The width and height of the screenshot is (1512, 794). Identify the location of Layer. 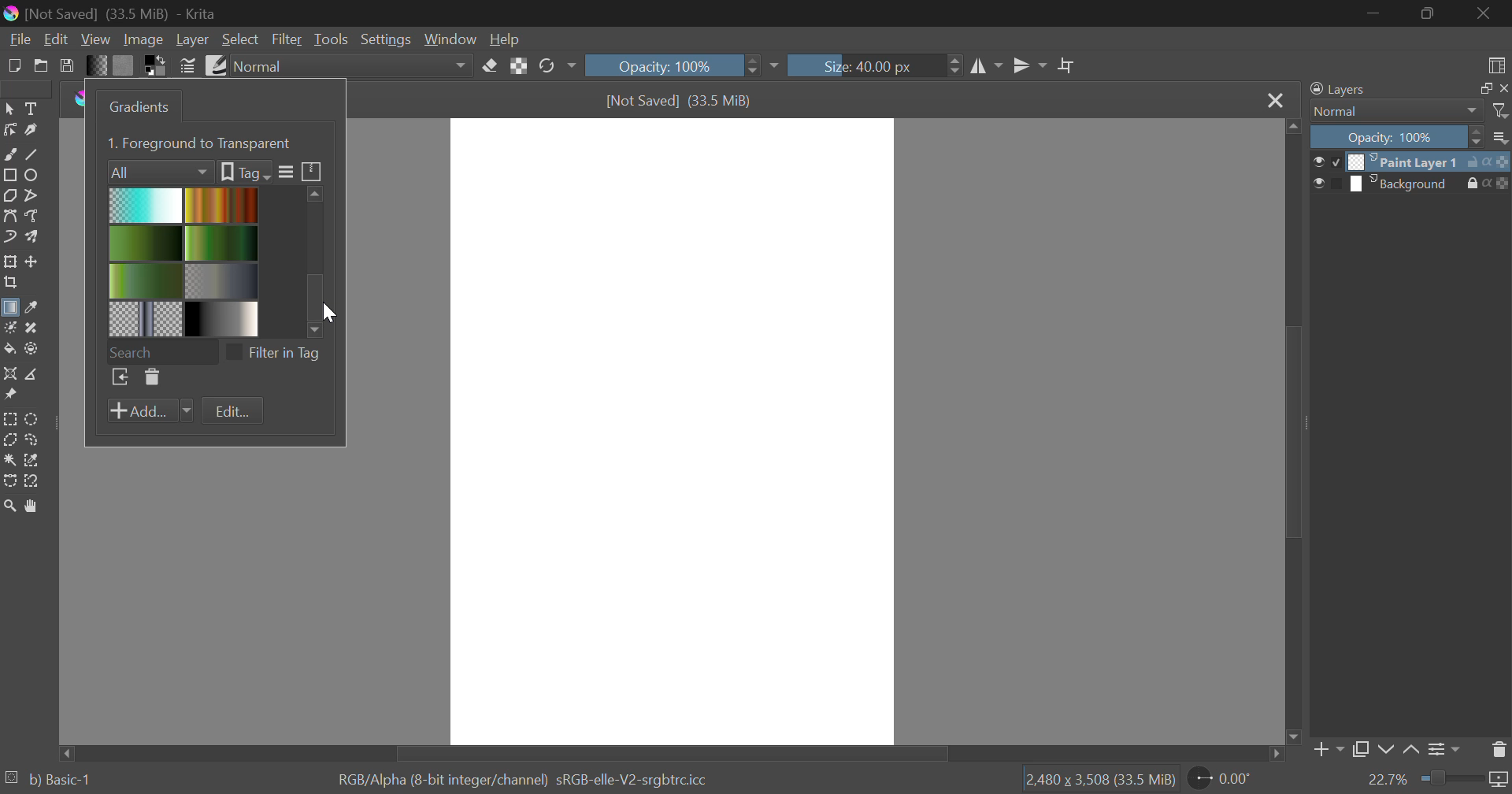
(192, 39).